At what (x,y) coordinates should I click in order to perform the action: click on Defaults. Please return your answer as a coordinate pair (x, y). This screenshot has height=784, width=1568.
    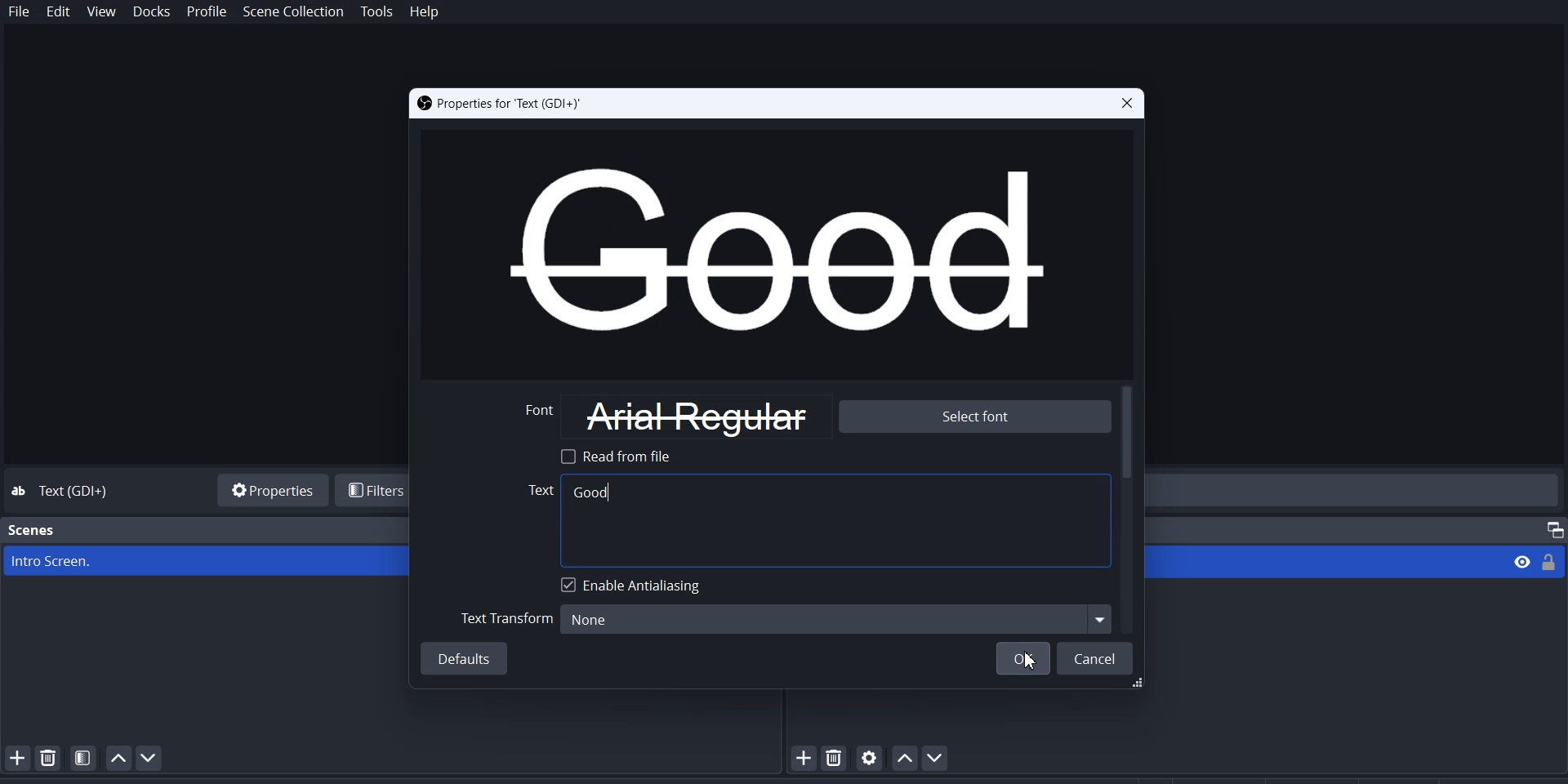
    Looking at the image, I should click on (466, 660).